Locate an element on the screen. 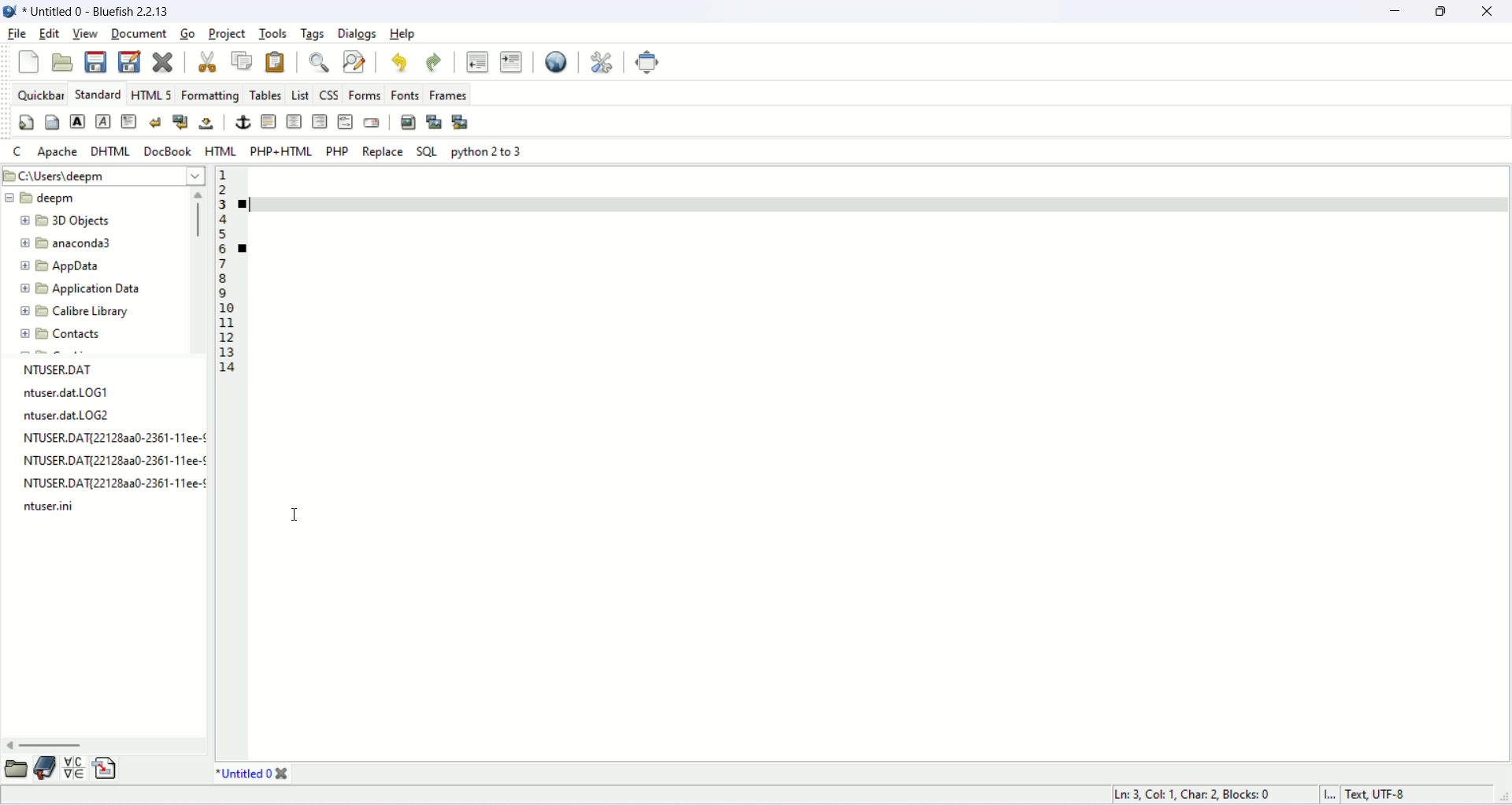 The image size is (1512, 805). filename is located at coordinates (245, 774).